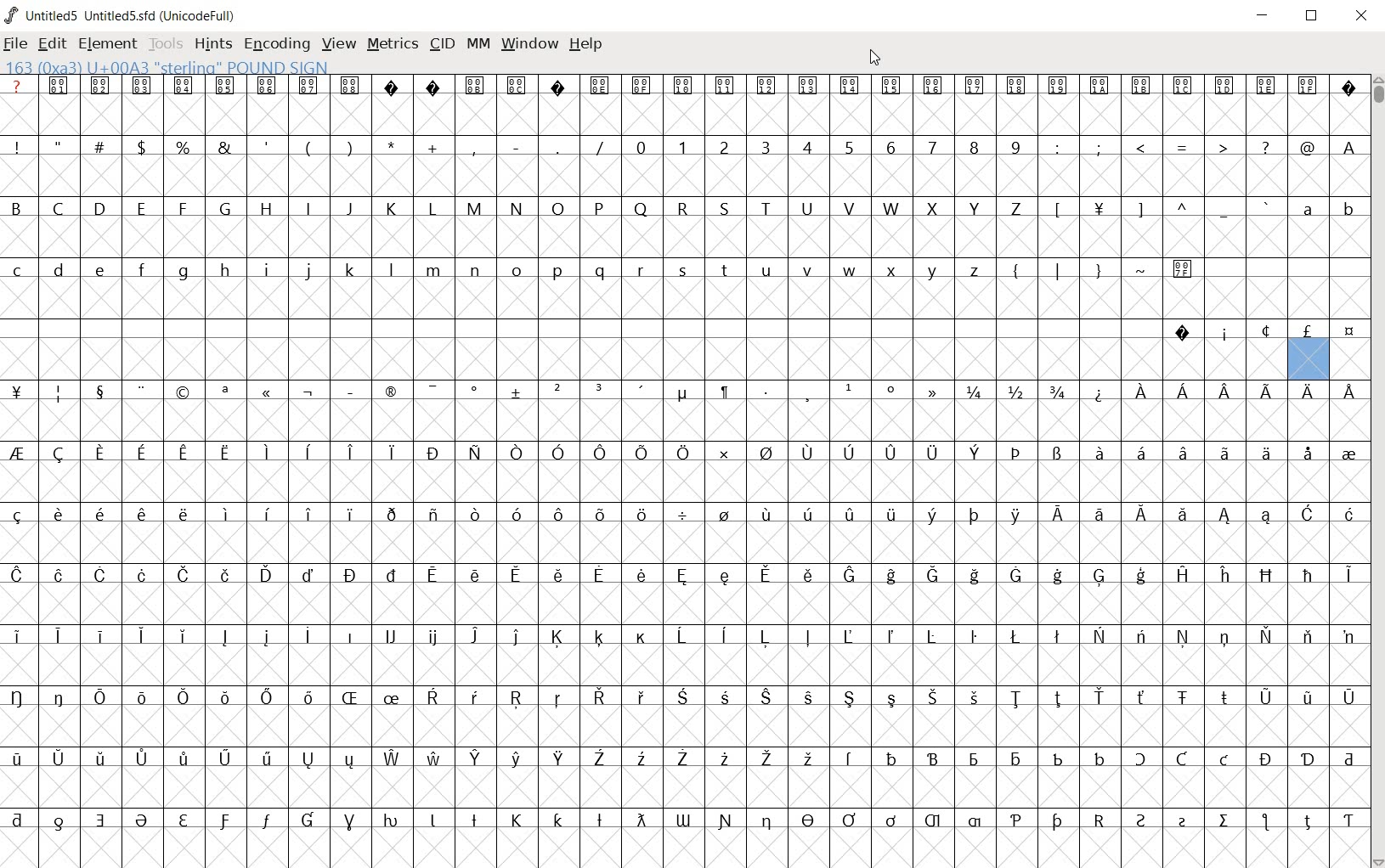  I want to click on file, so click(18, 43).